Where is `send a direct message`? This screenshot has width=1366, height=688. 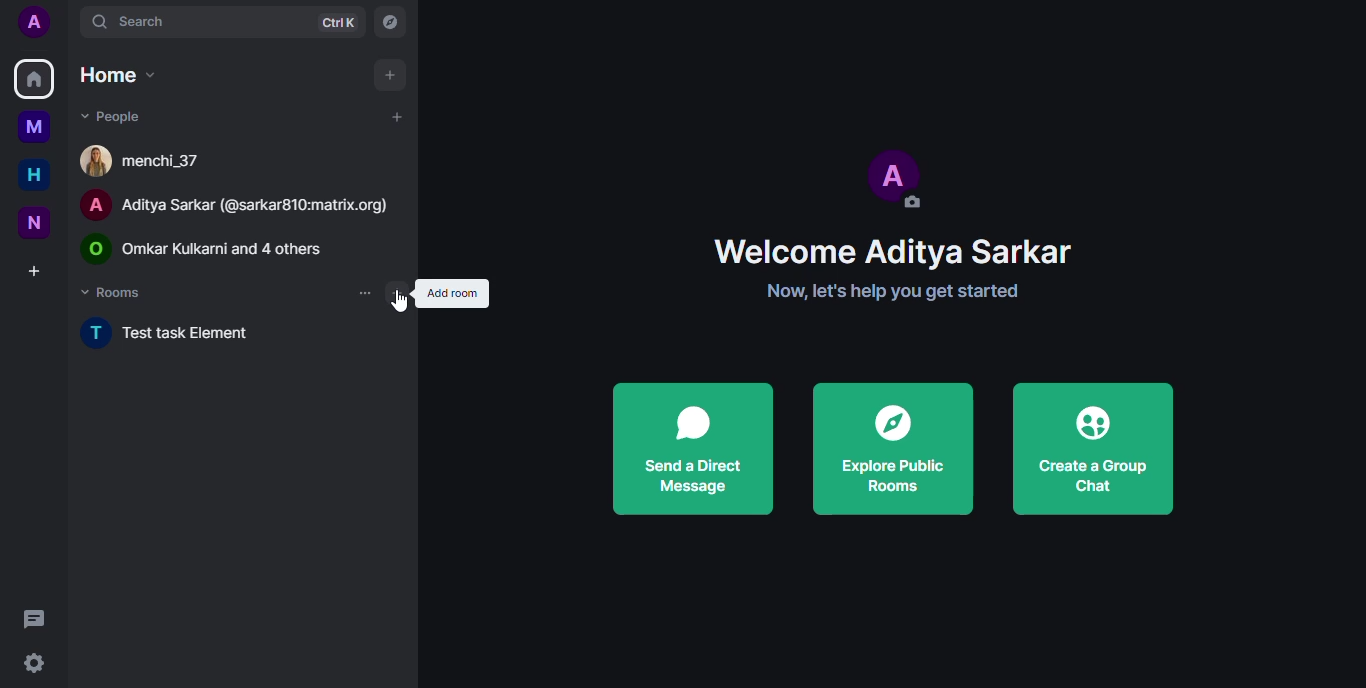 send a direct message is located at coordinates (694, 450).